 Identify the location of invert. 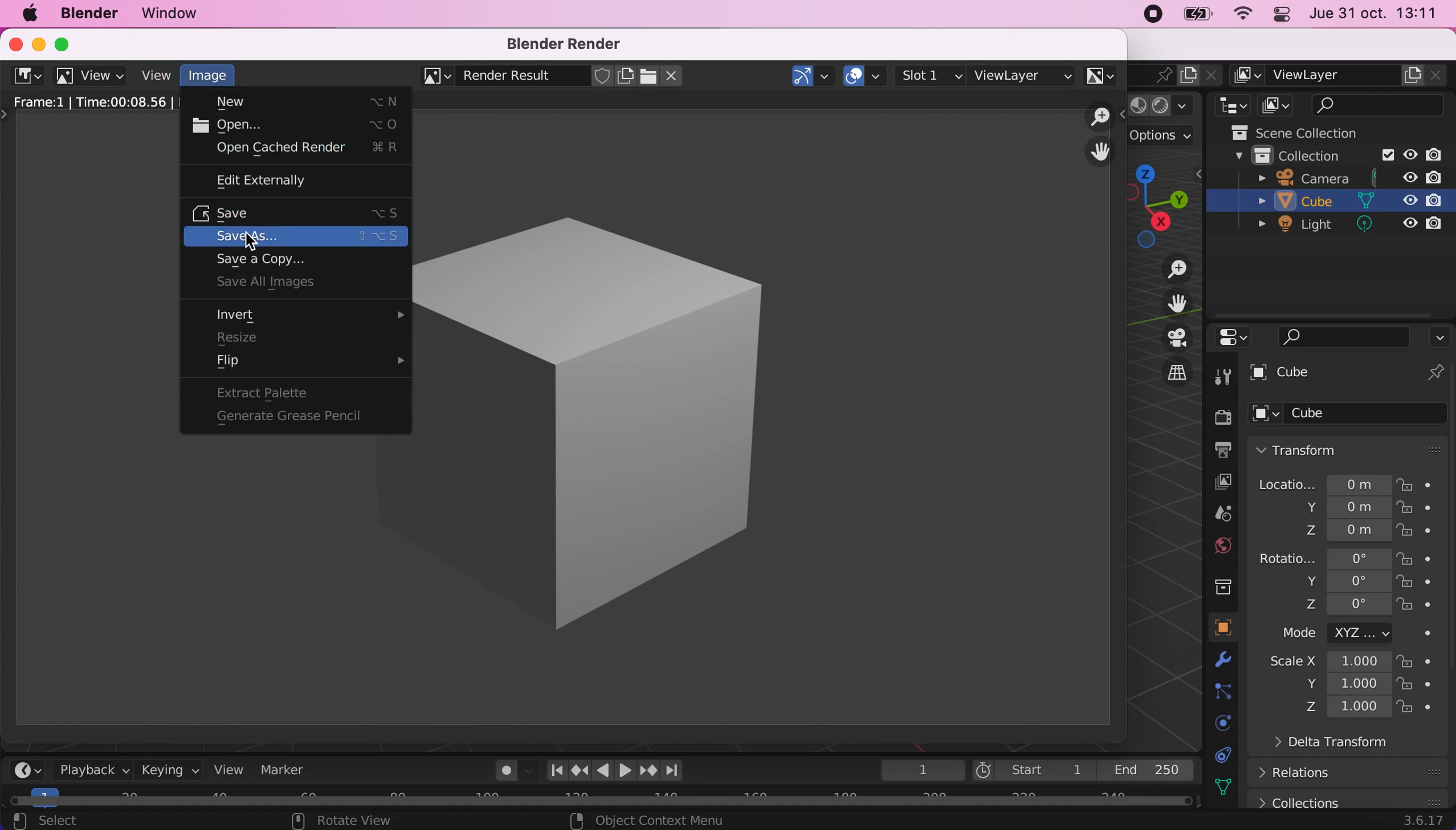
(313, 315).